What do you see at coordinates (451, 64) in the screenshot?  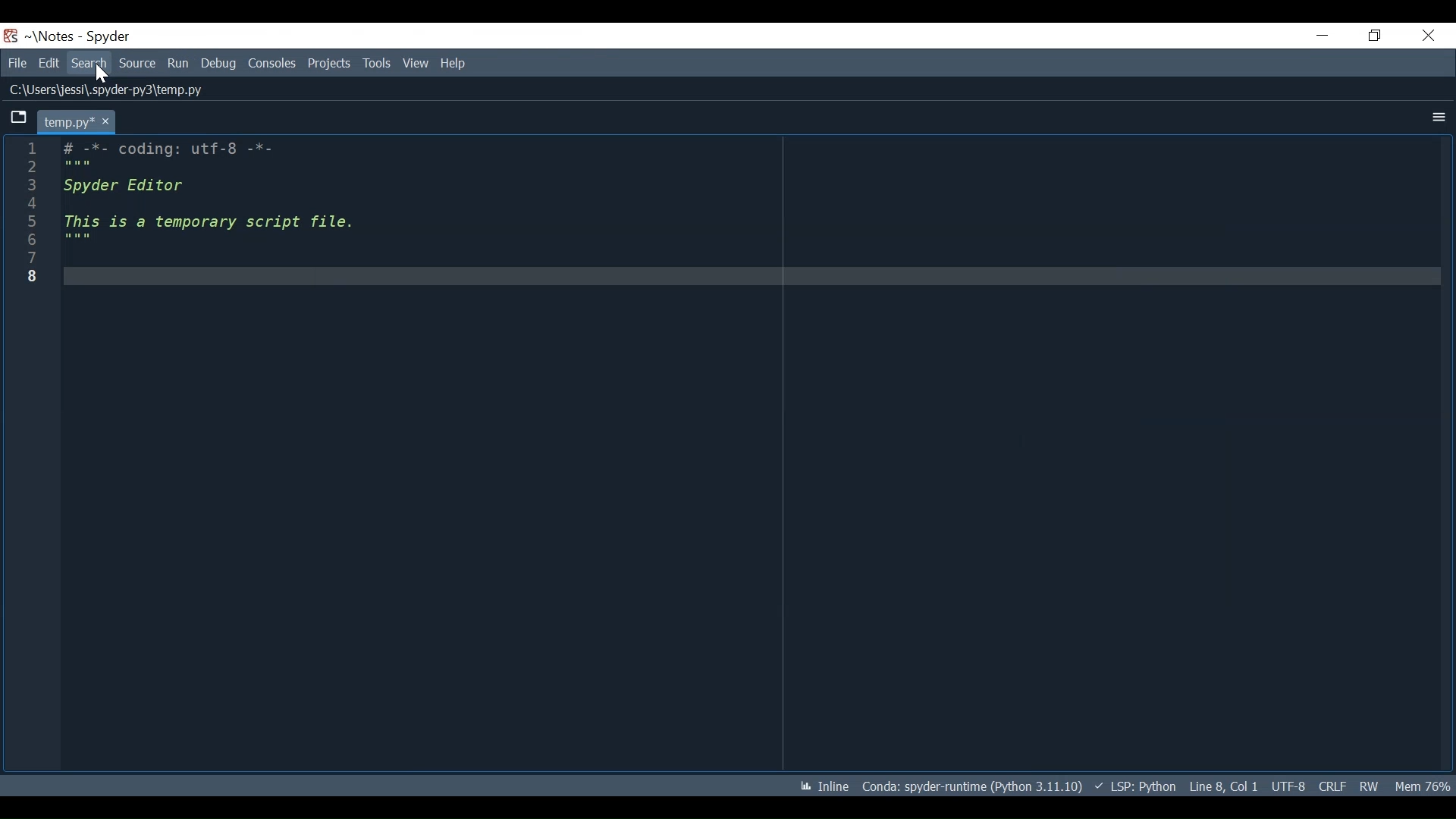 I see `Help` at bounding box center [451, 64].